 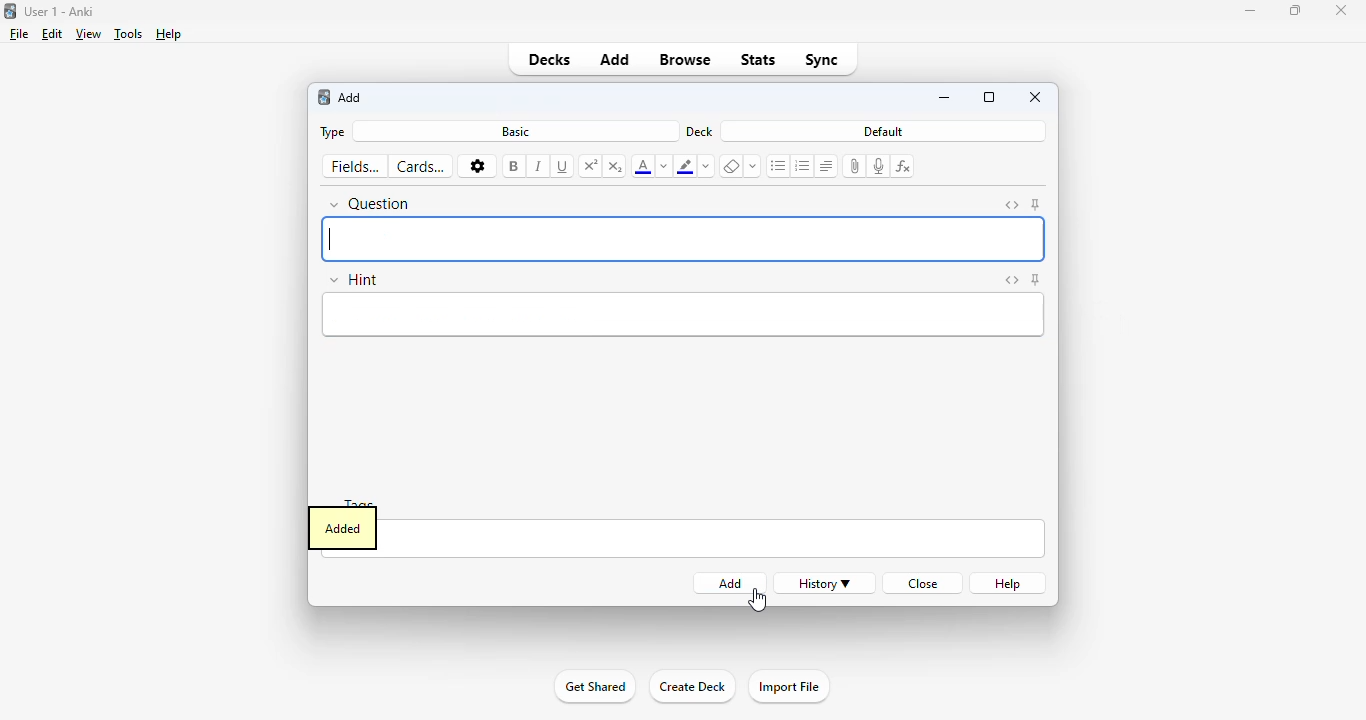 I want to click on question, so click(x=370, y=204).